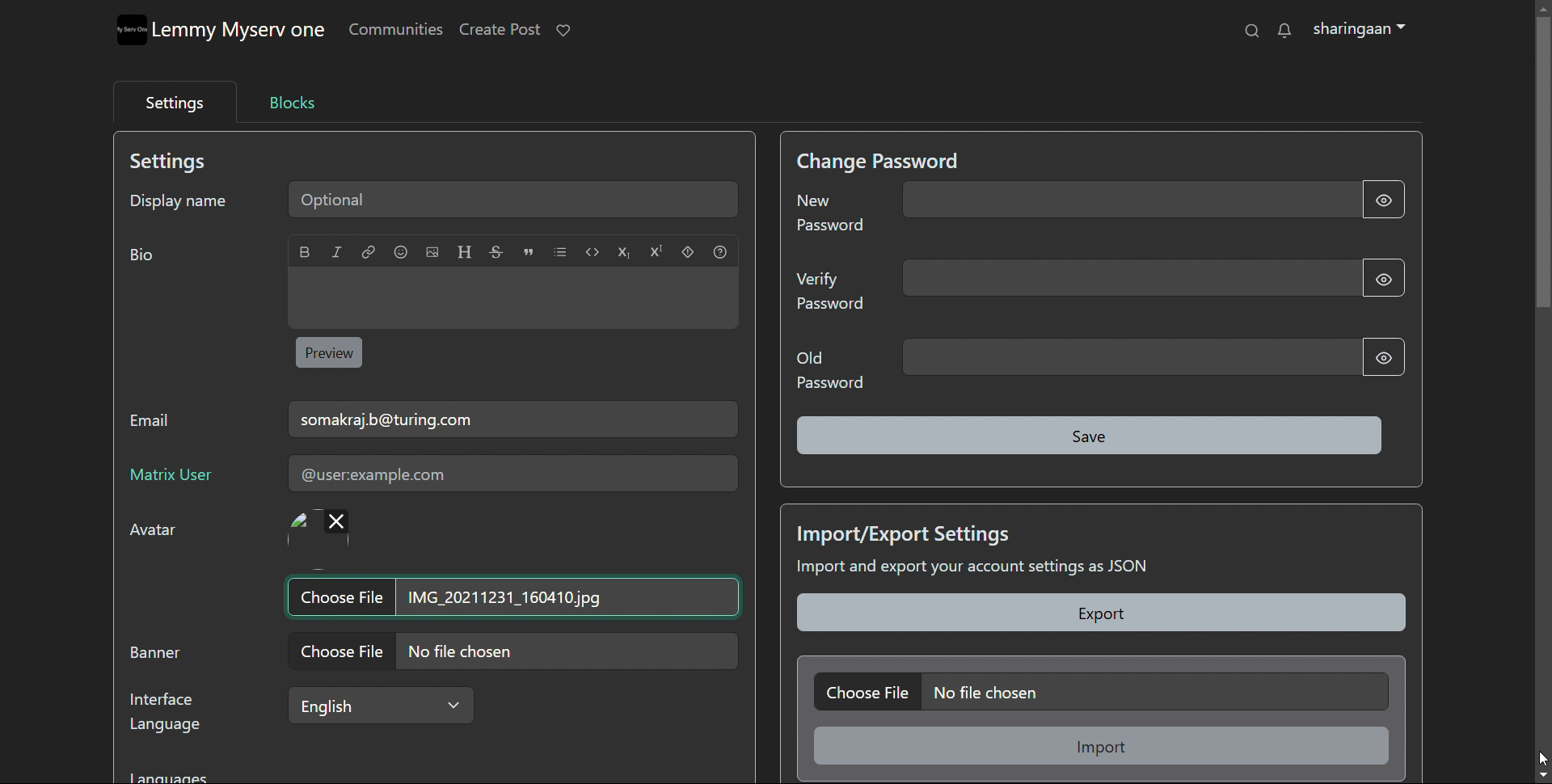 The height and width of the screenshot is (784, 1552). Describe the element at coordinates (1544, 388) in the screenshot. I see `scrollbar` at that location.